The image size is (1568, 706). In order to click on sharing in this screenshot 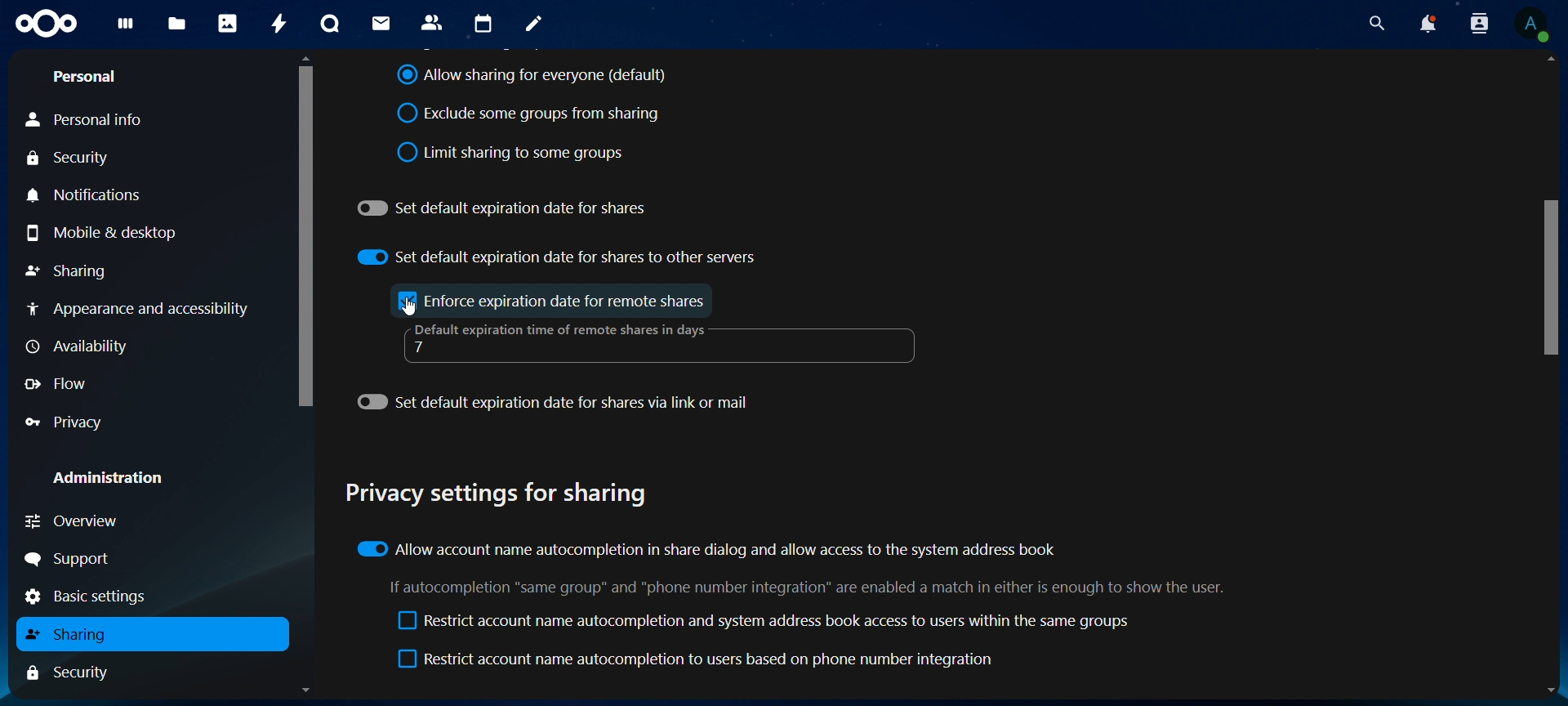, I will do `click(75, 636)`.